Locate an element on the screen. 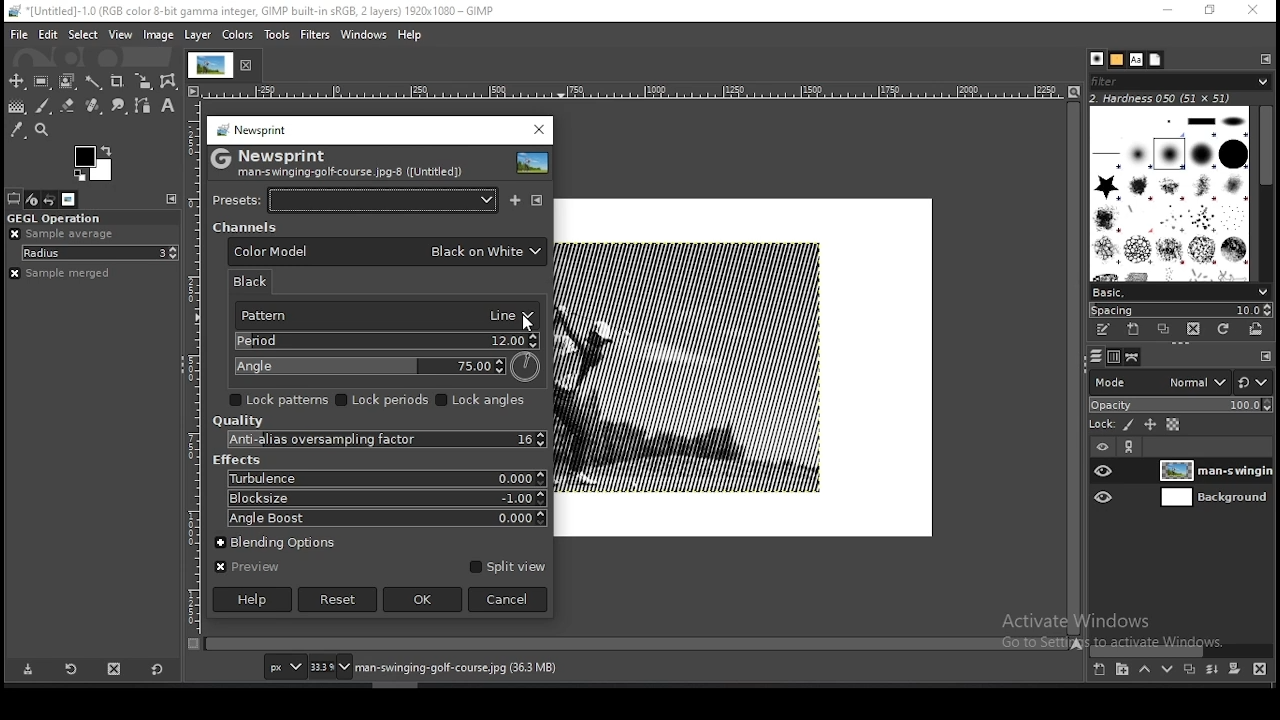 This screenshot has height=720, width=1280. channels is located at coordinates (1112, 359).